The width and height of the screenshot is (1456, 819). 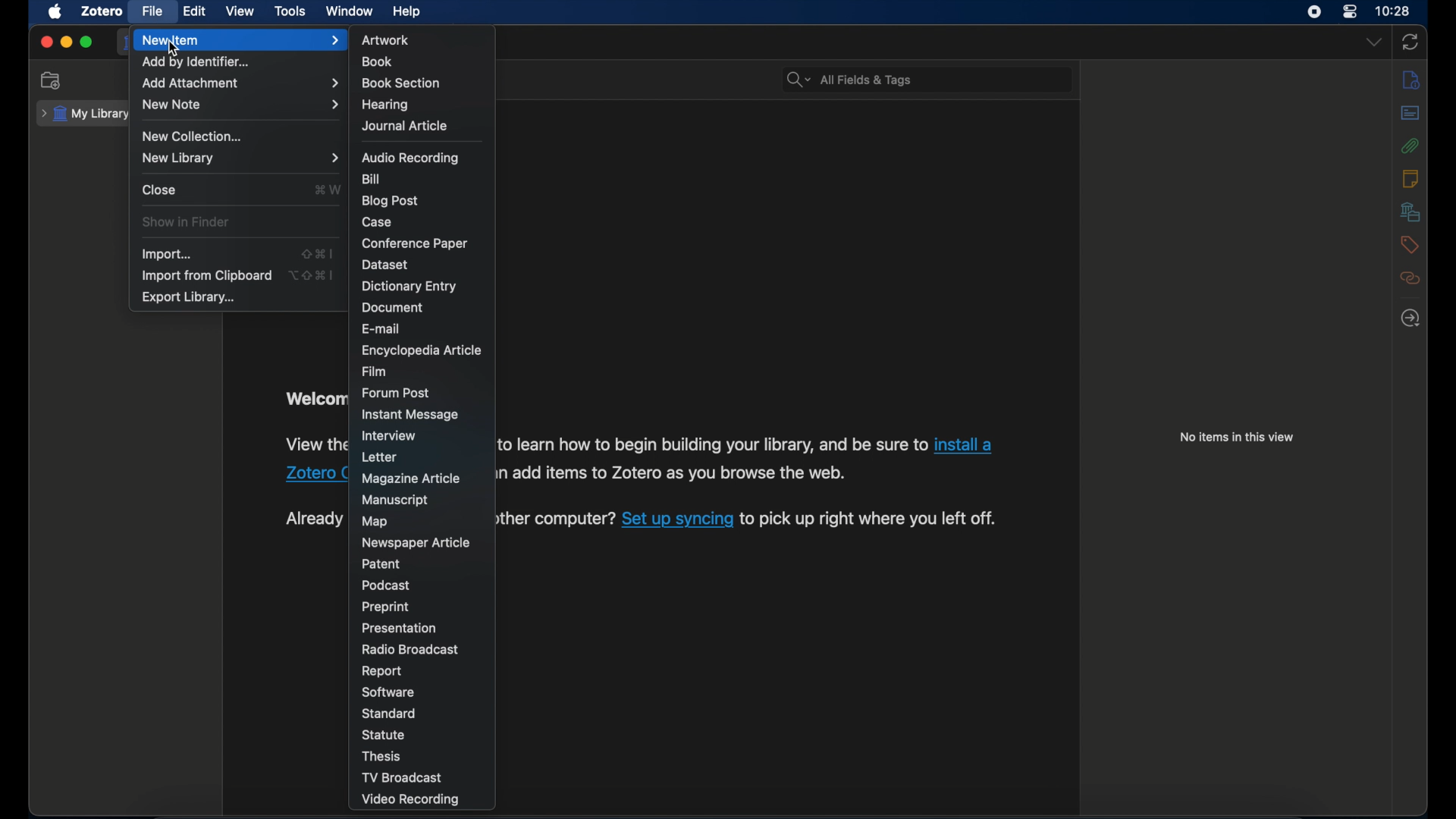 I want to click on obscure text, so click(x=313, y=519).